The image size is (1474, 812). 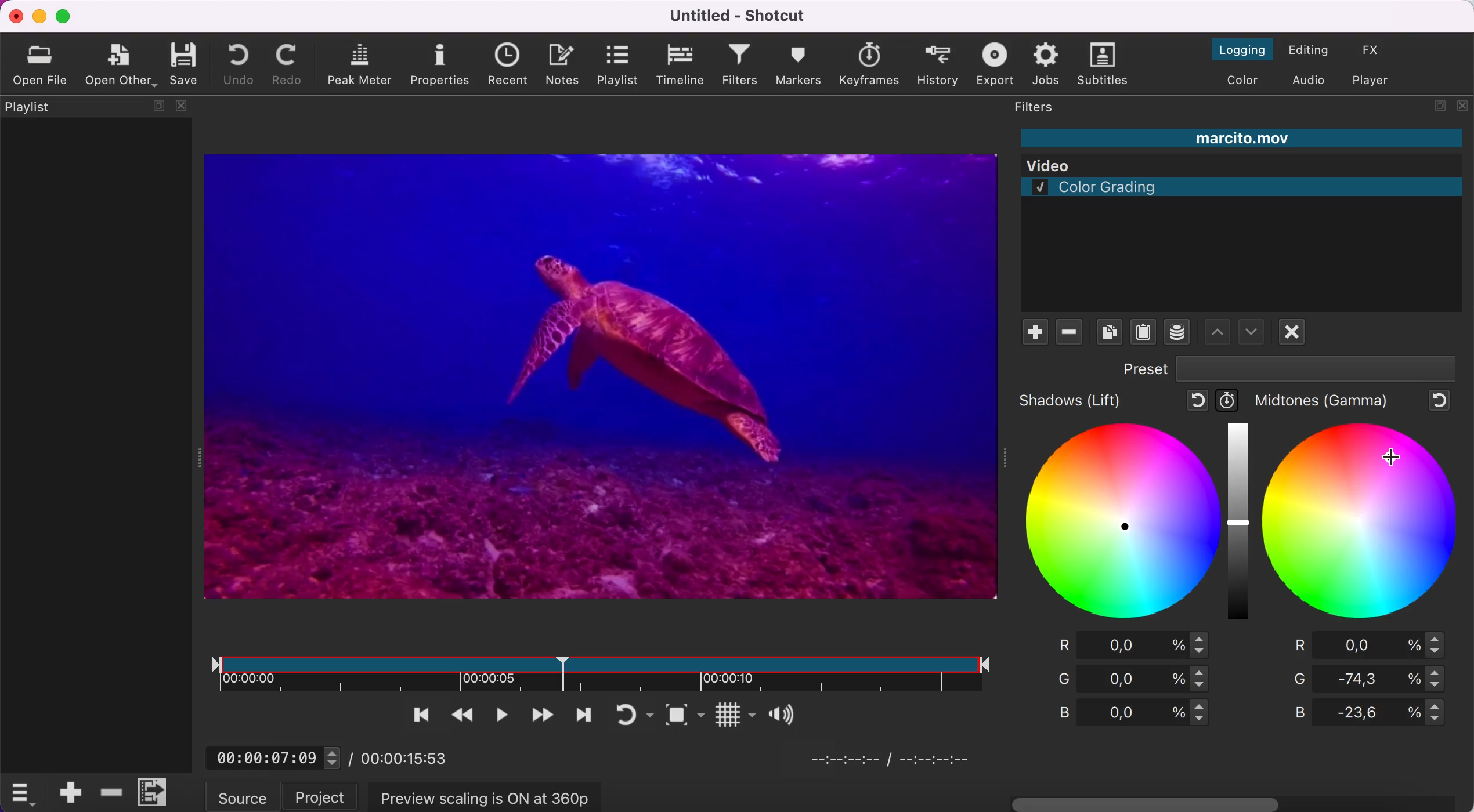 What do you see at coordinates (1294, 333) in the screenshot?
I see `deselect filter` at bounding box center [1294, 333].